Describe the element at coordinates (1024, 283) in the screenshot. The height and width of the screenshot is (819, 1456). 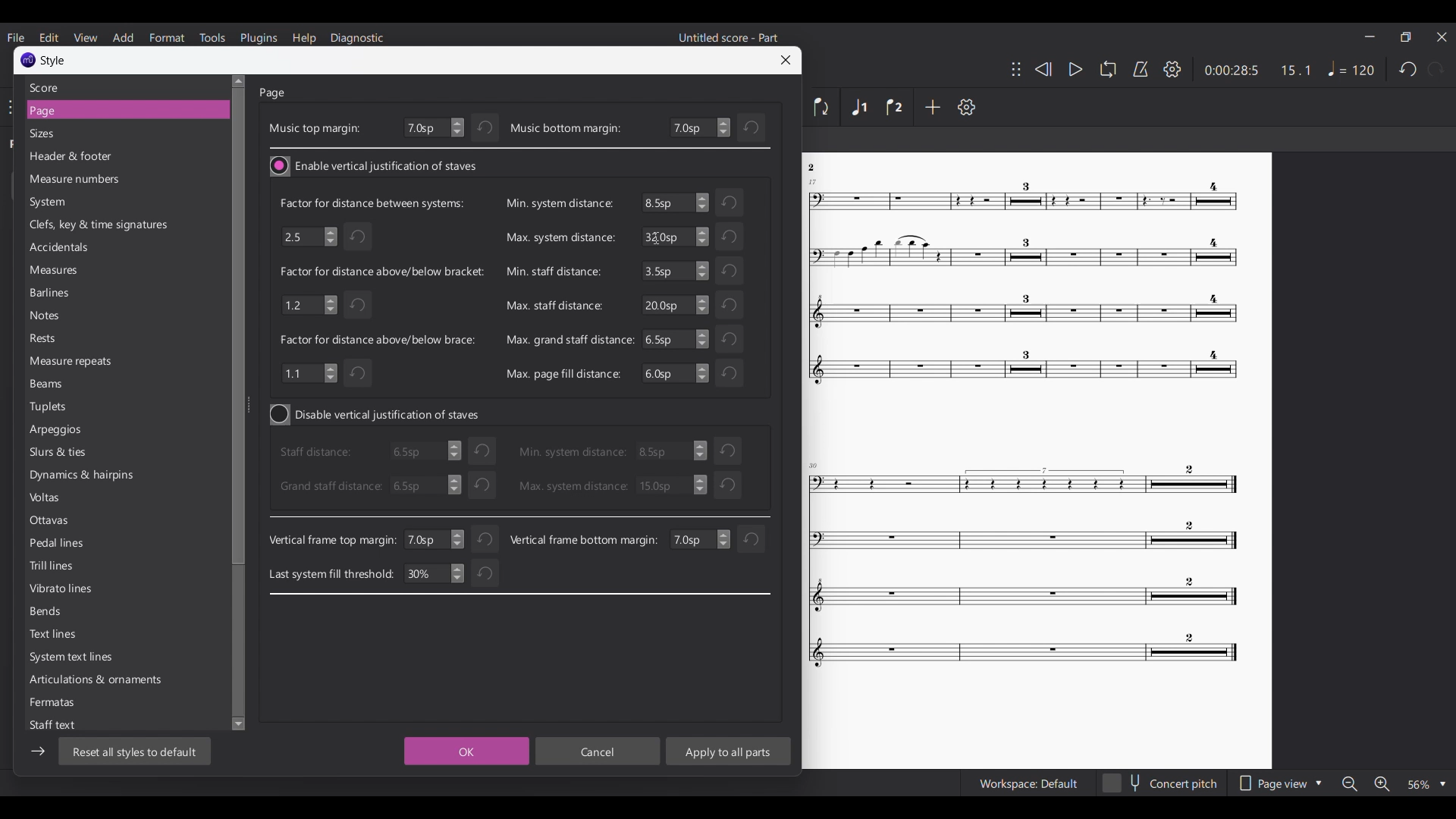
I see `` at that location.